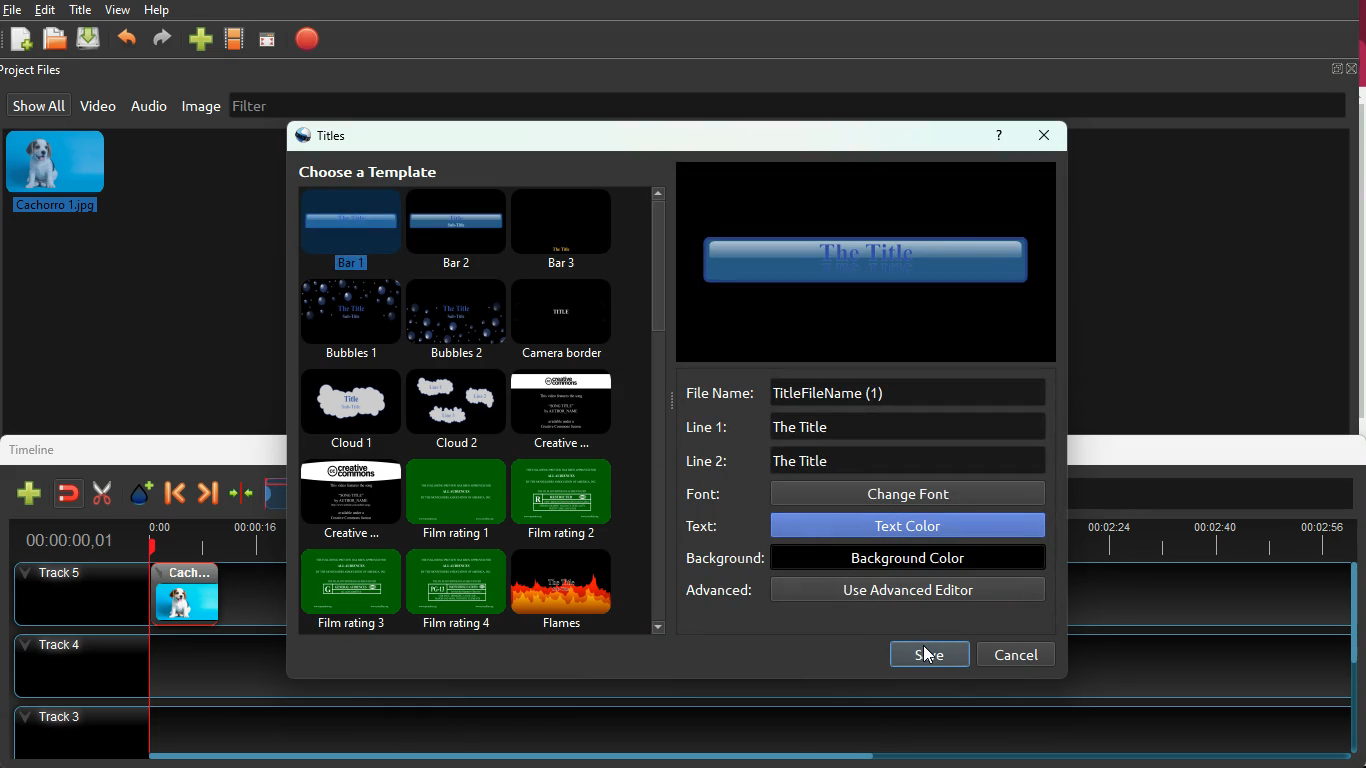 Image resolution: width=1366 pixels, height=768 pixels. I want to click on back, so click(126, 41).